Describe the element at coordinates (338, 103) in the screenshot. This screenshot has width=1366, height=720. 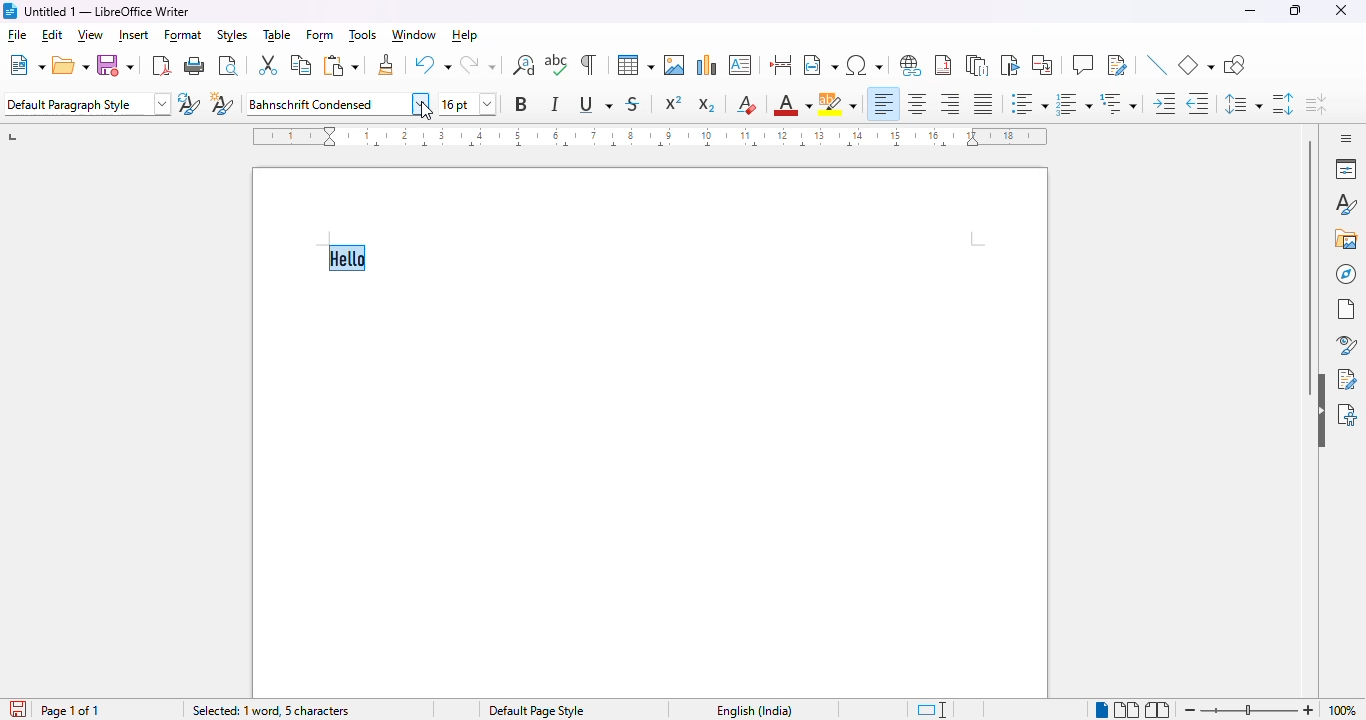
I see `font style` at that location.